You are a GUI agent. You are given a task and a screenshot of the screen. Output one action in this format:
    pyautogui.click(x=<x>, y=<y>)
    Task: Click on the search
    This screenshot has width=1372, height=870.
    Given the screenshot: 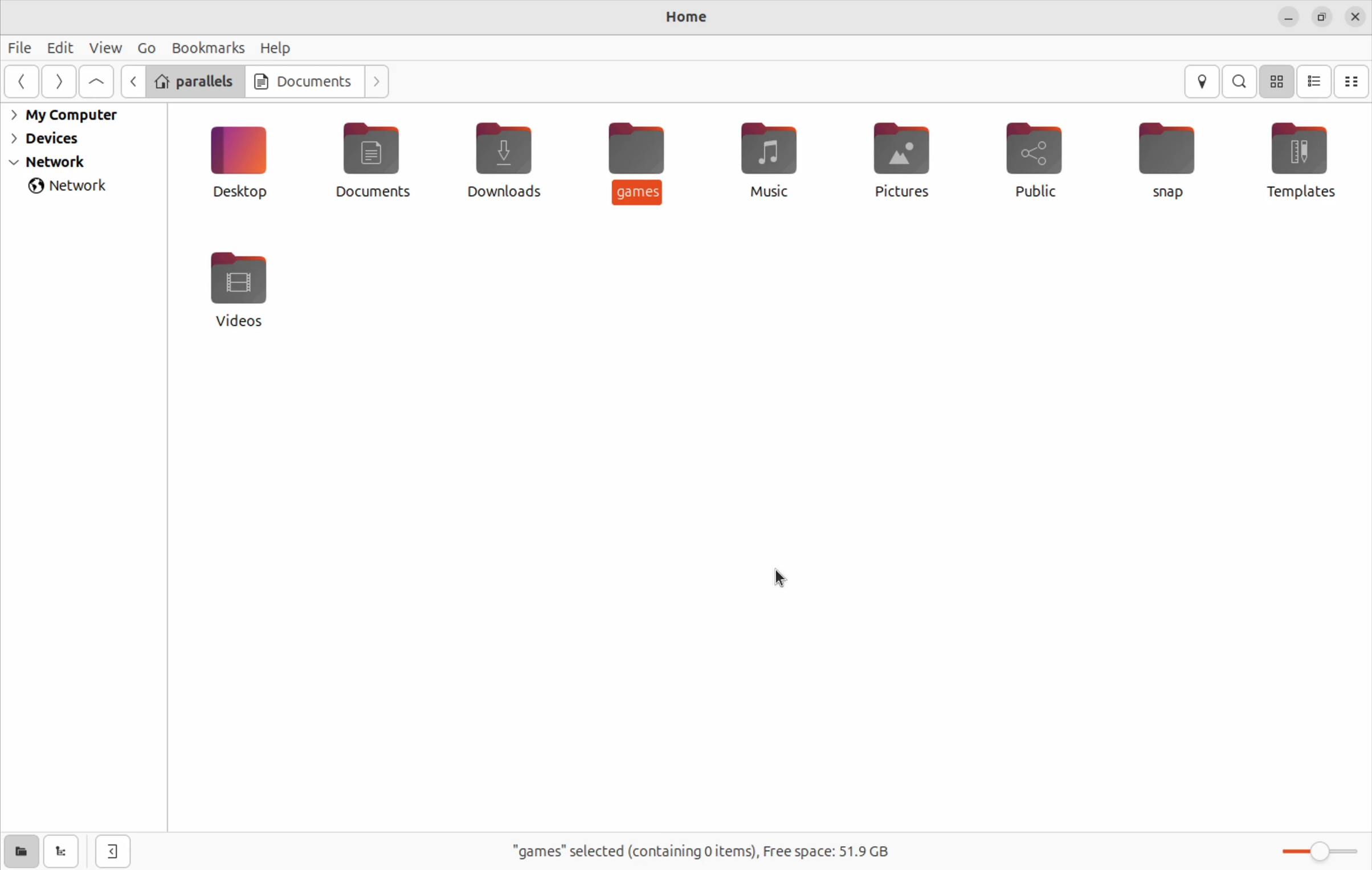 What is the action you would take?
    pyautogui.click(x=1239, y=82)
    